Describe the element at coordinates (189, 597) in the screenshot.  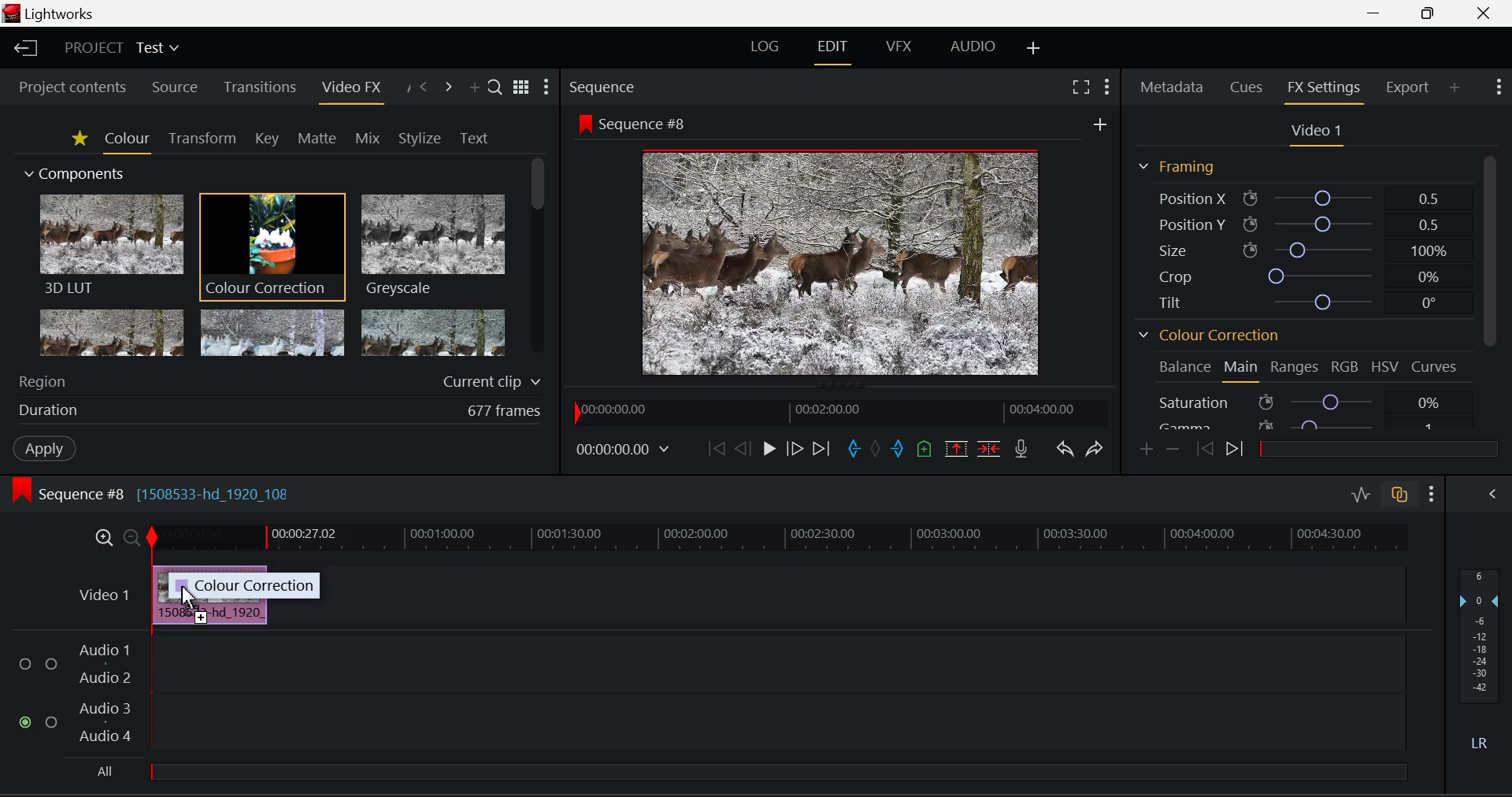
I see `MOUSE_UP Cursor Position` at that location.